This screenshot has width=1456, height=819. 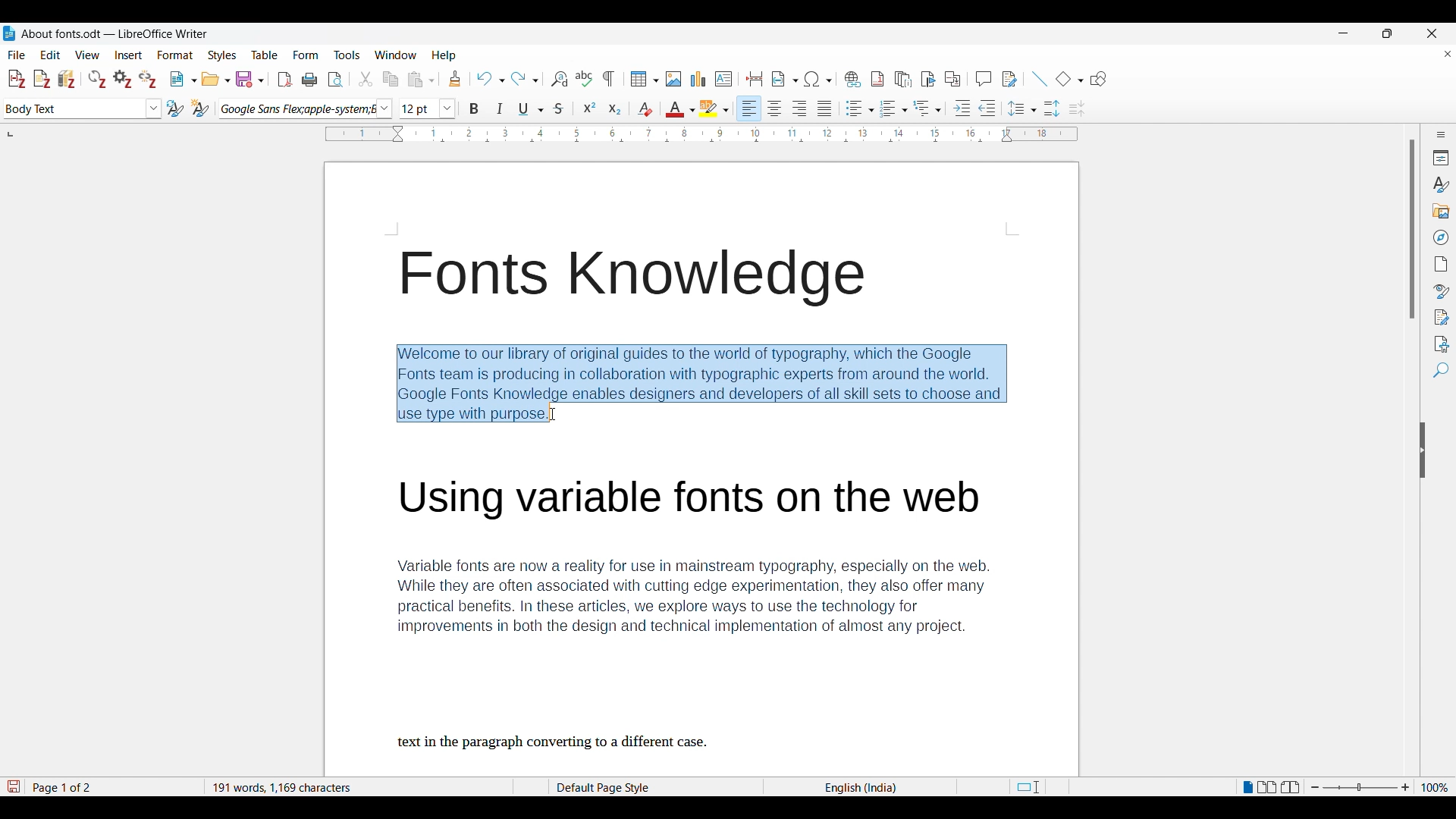 What do you see at coordinates (1052, 108) in the screenshot?
I see `Increase paragraph spacing` at bounding box center [1052, 108].